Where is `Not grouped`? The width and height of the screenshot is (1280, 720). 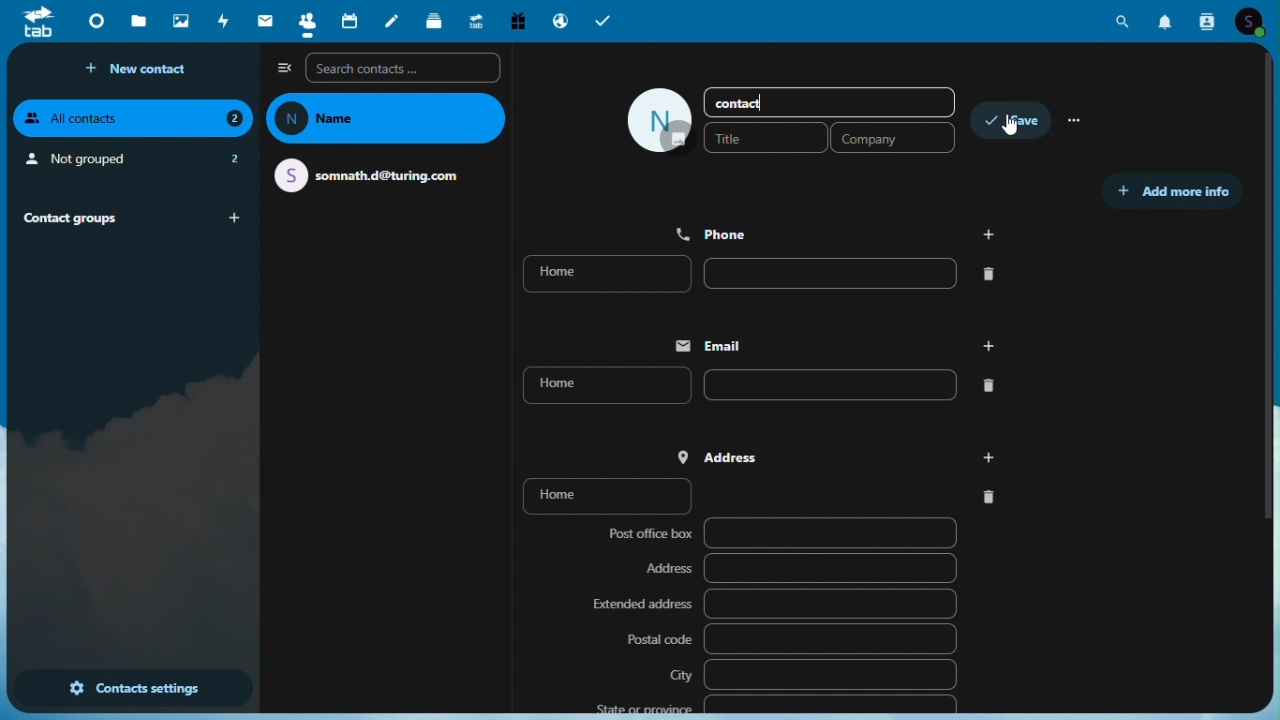
Not grouped is located at coordinates (131, 161).